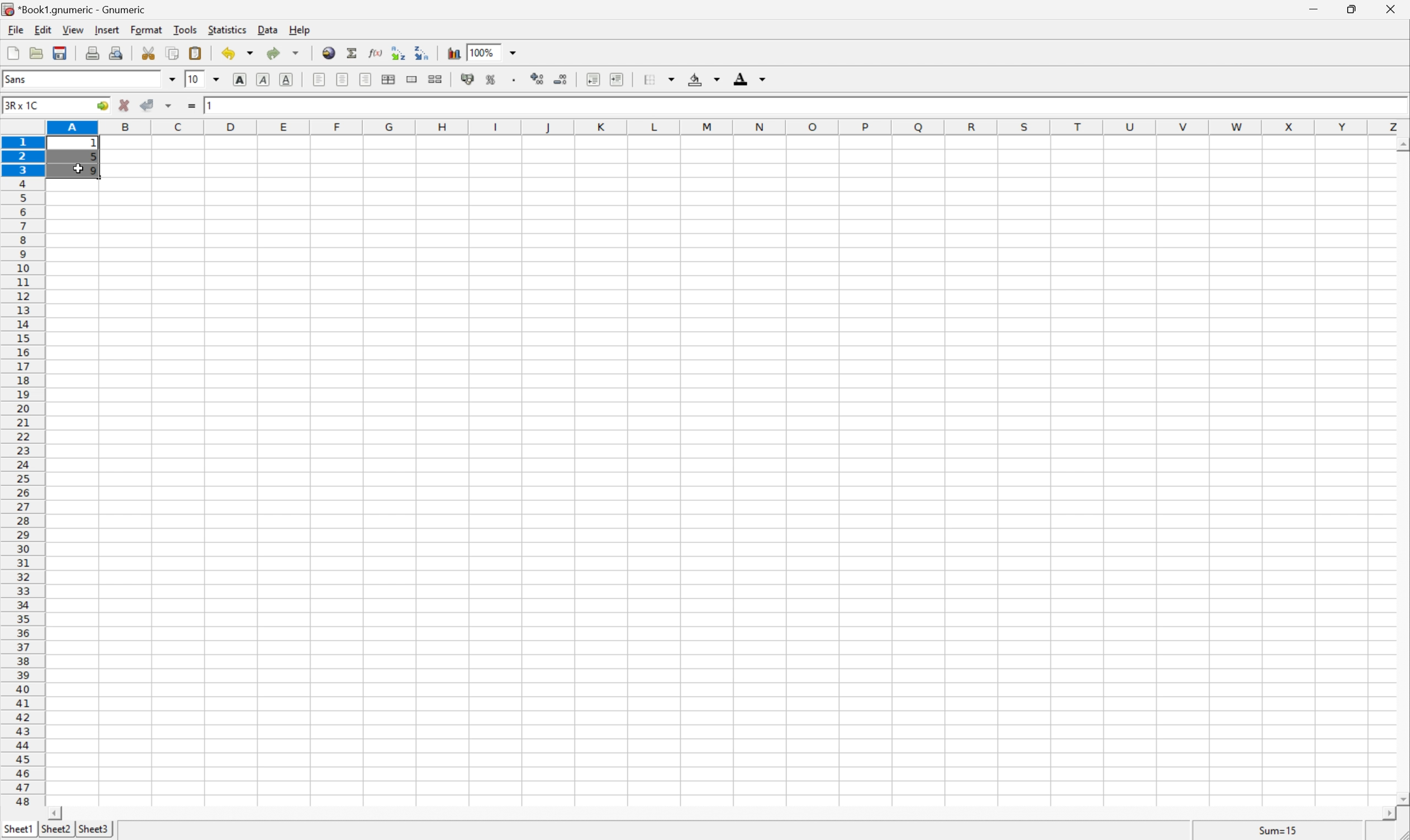  What do you see at coordinates (283, 53) in the screenshot?
I see `redo` at bounding box center [283, 53].